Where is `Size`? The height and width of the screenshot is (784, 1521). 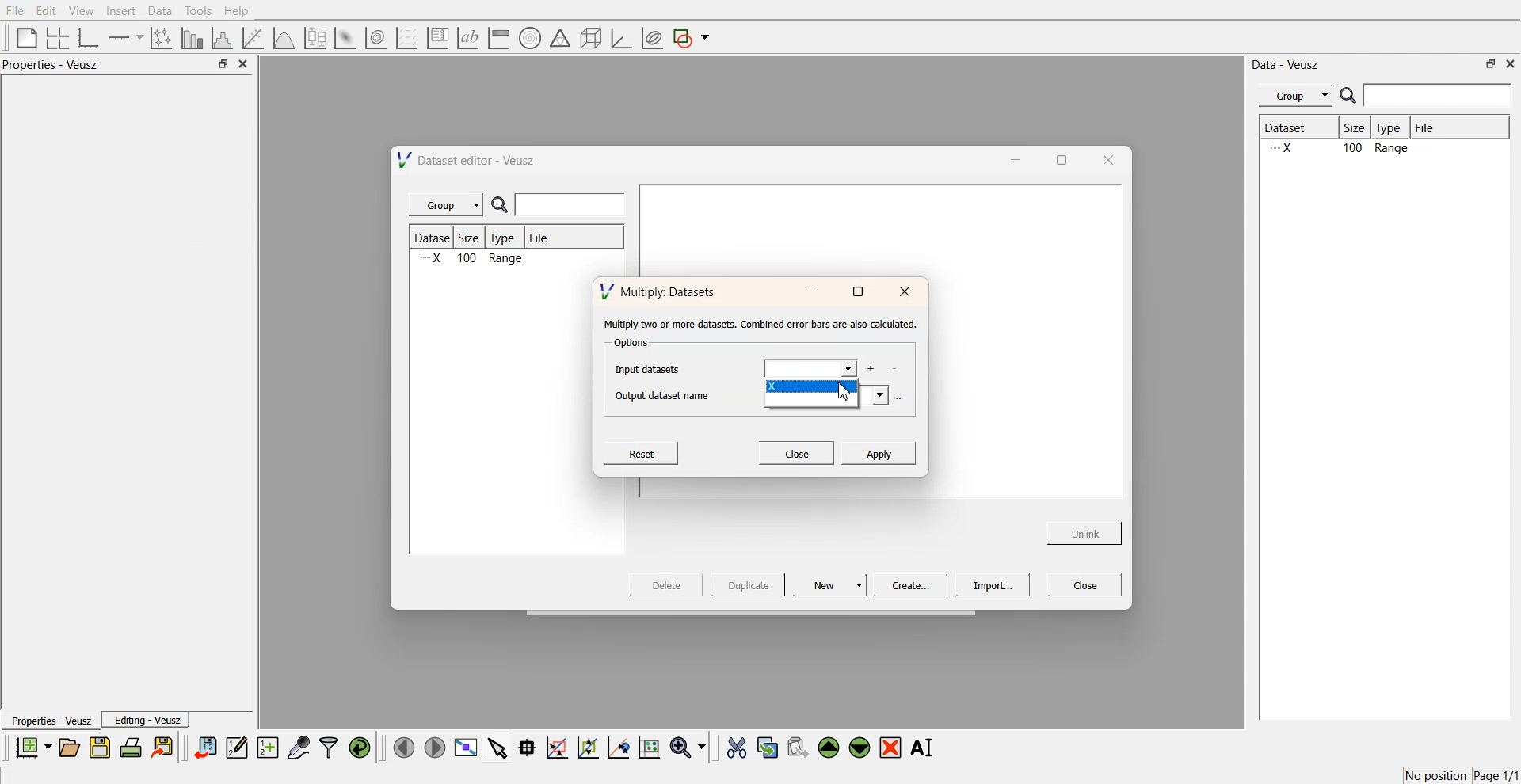
Size is located at coordinates (474, 238).